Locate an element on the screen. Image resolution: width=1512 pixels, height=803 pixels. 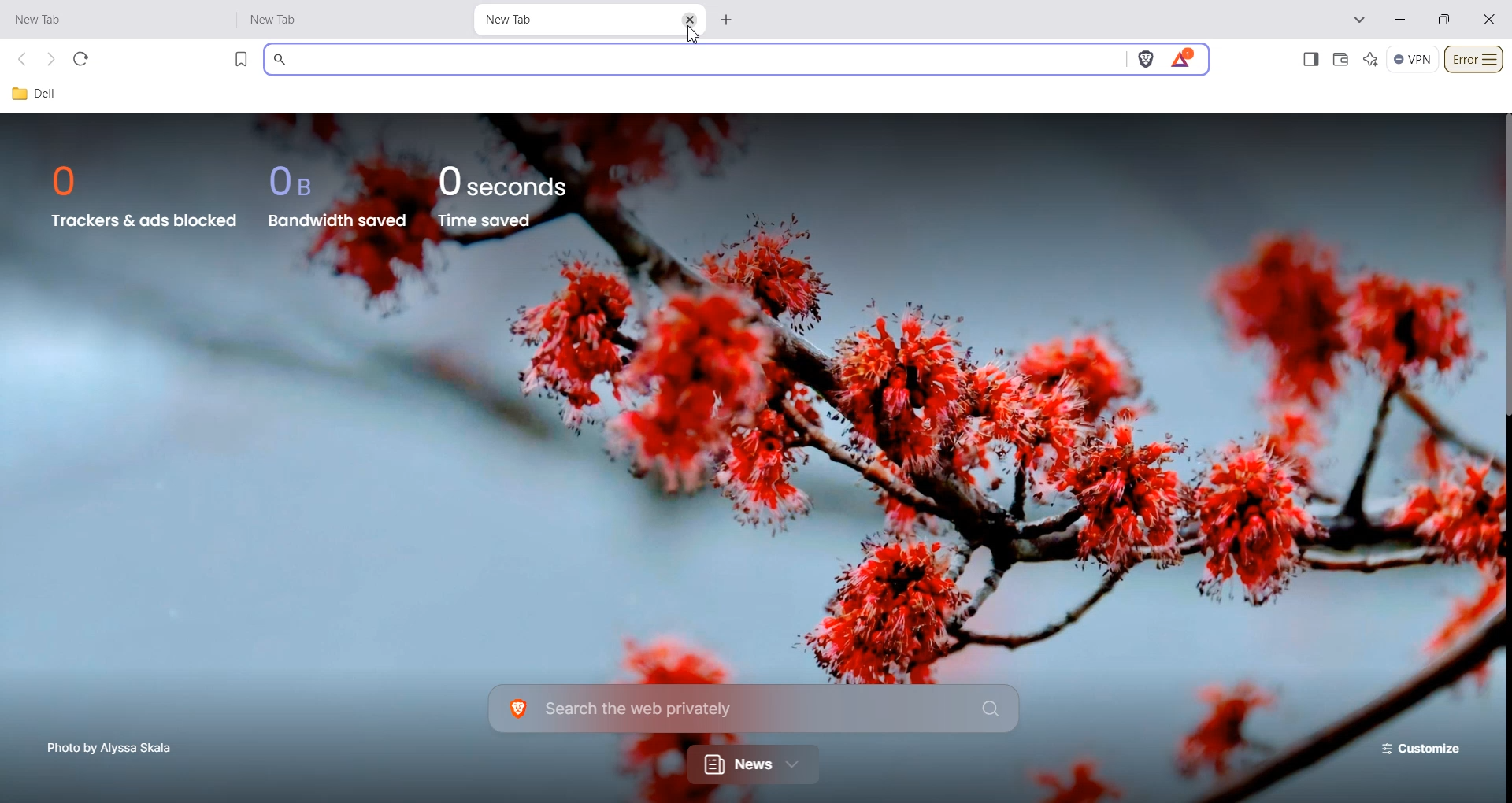
VPN is located at coordinates (1413, 60).